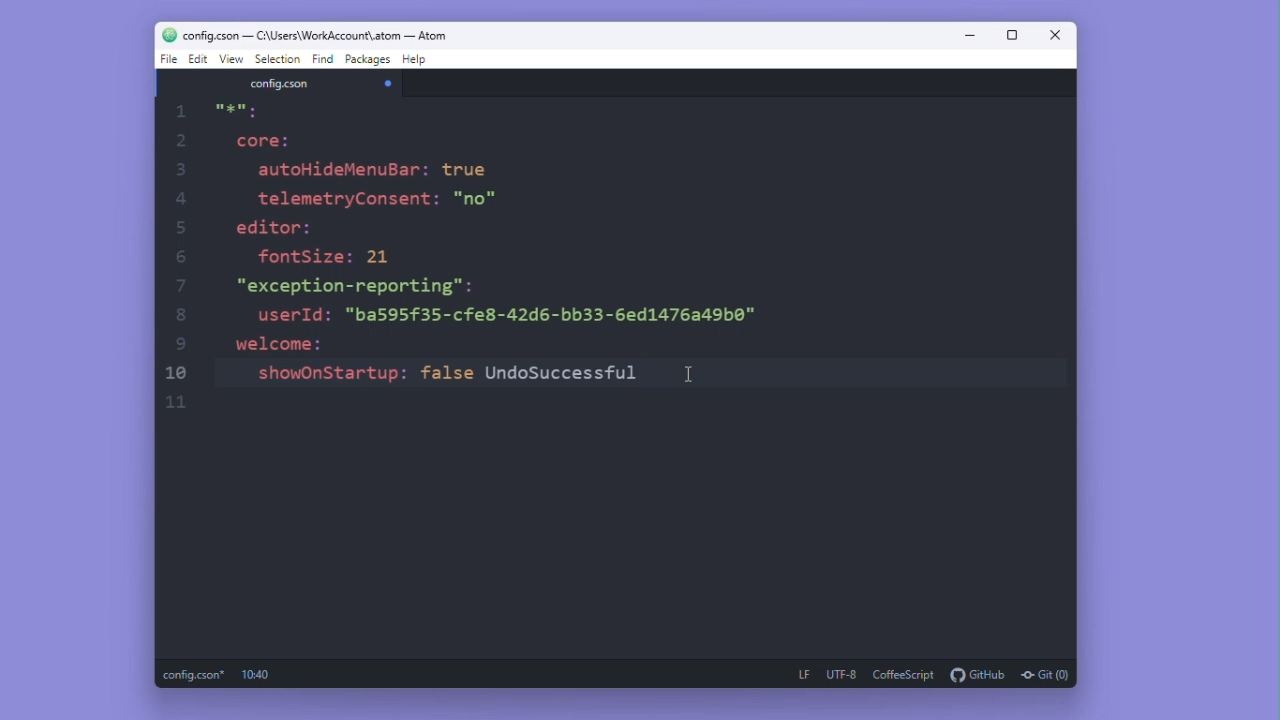 The height and width of the screenshot is (720, 1280). What do you see at coordinates (972, 38) in the screenshot?
I see `Minimise` at bounding box center [972, 38].